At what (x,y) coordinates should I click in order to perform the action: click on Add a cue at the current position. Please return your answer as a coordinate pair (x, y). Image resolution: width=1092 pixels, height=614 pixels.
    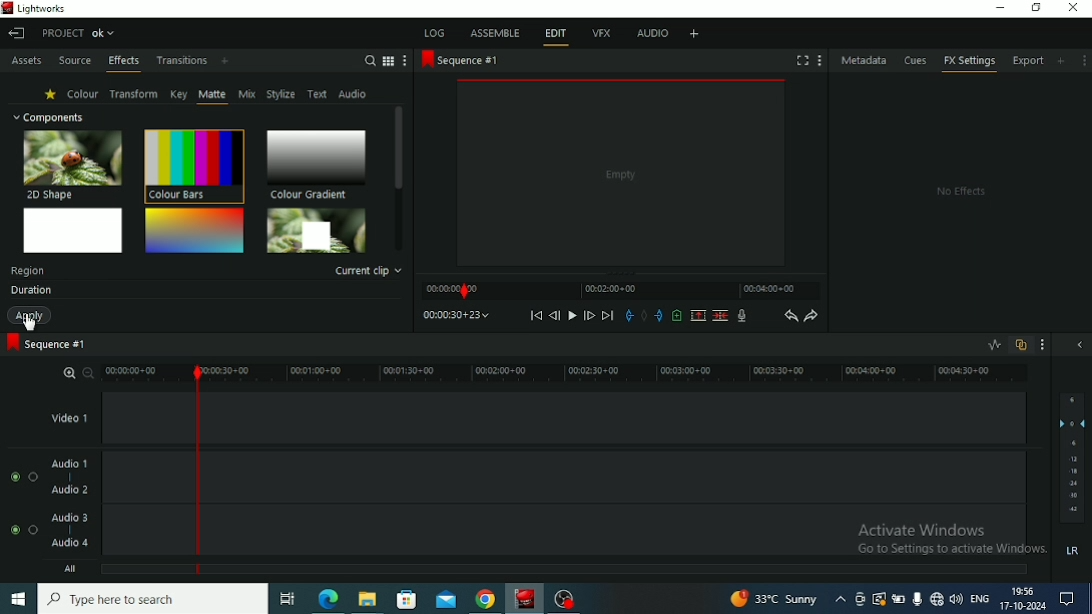
    Looking at the image, I should click on (677, 315).